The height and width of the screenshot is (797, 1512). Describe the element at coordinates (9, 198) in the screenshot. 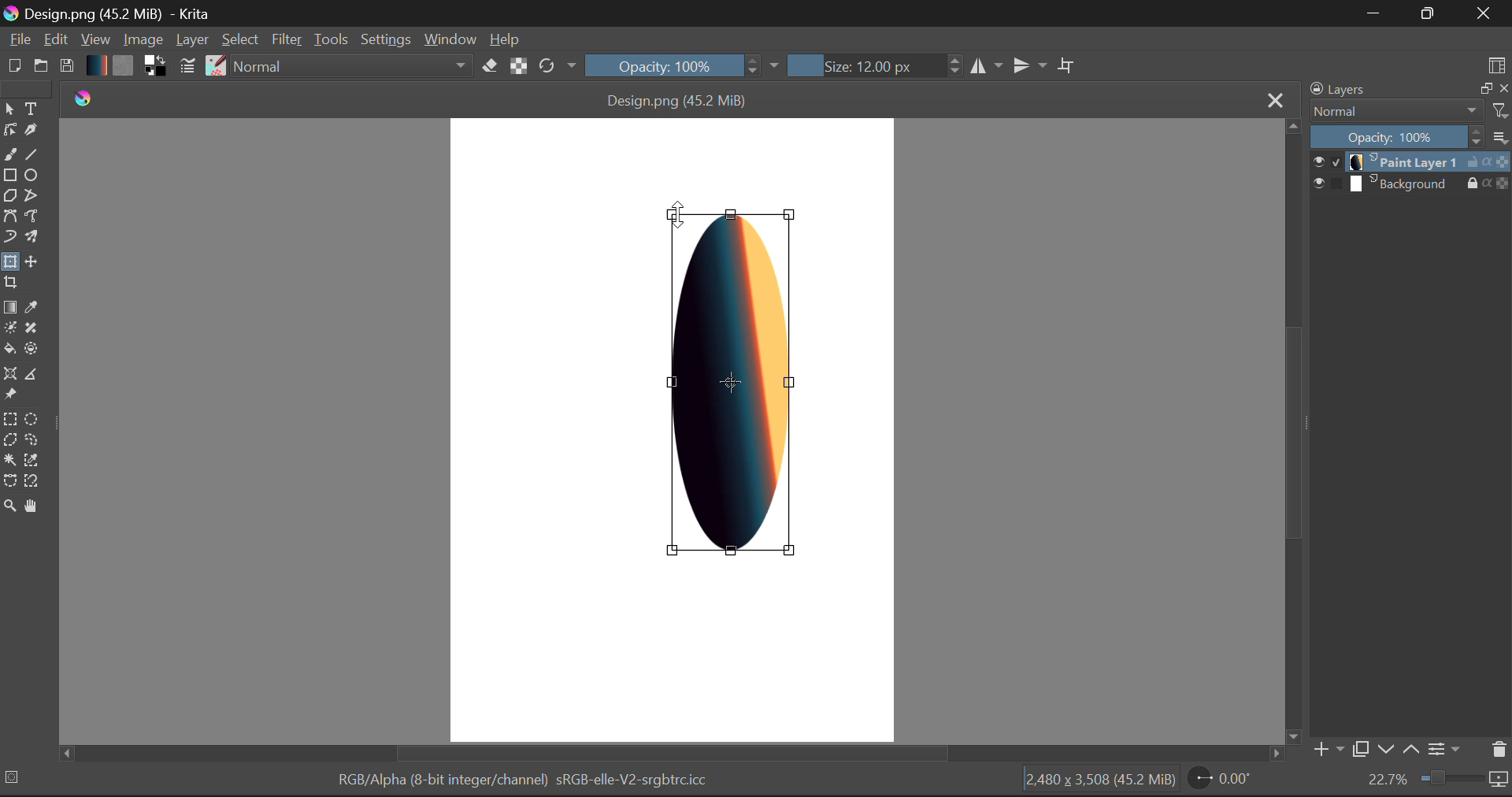

I see `Polygon` at that location.